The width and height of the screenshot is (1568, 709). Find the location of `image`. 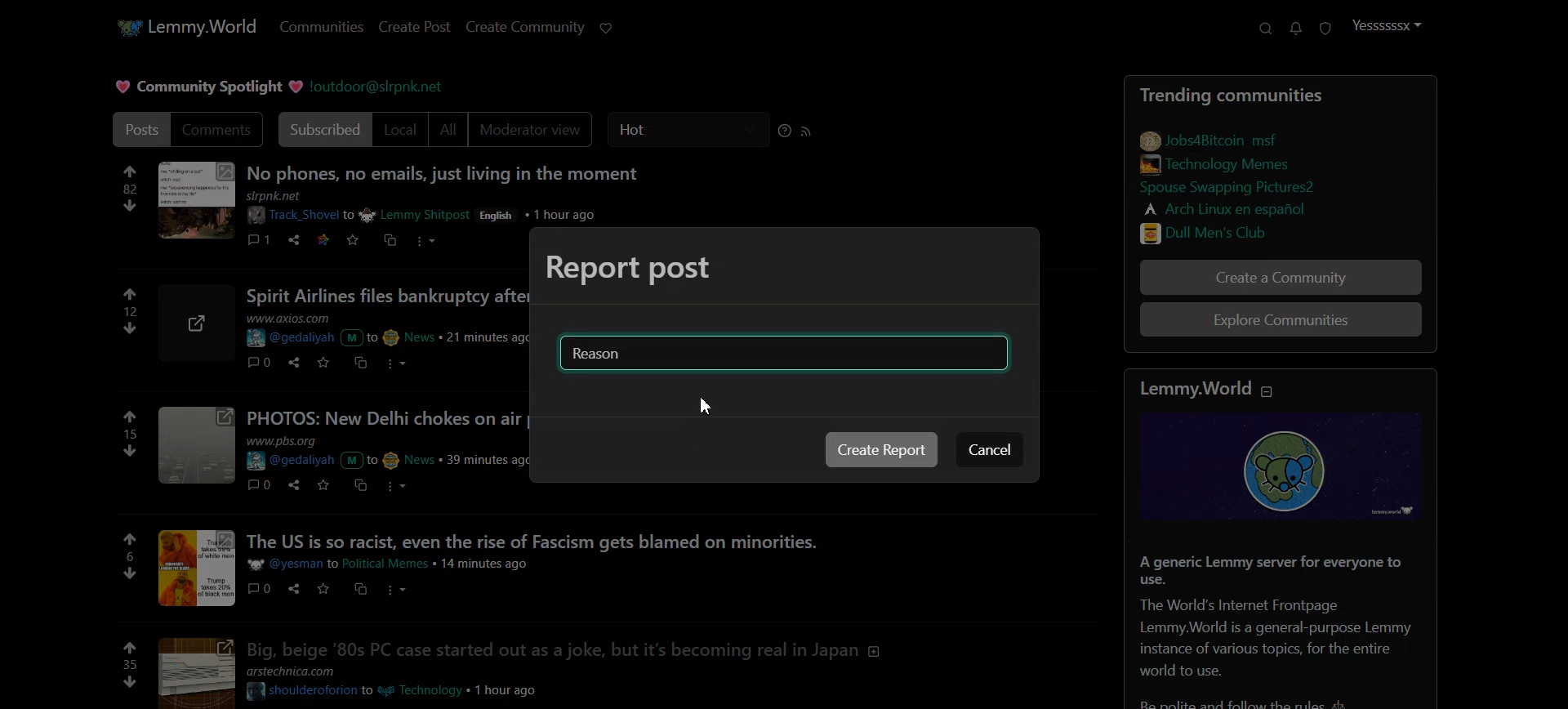

image is located at coordinates (195, 202).